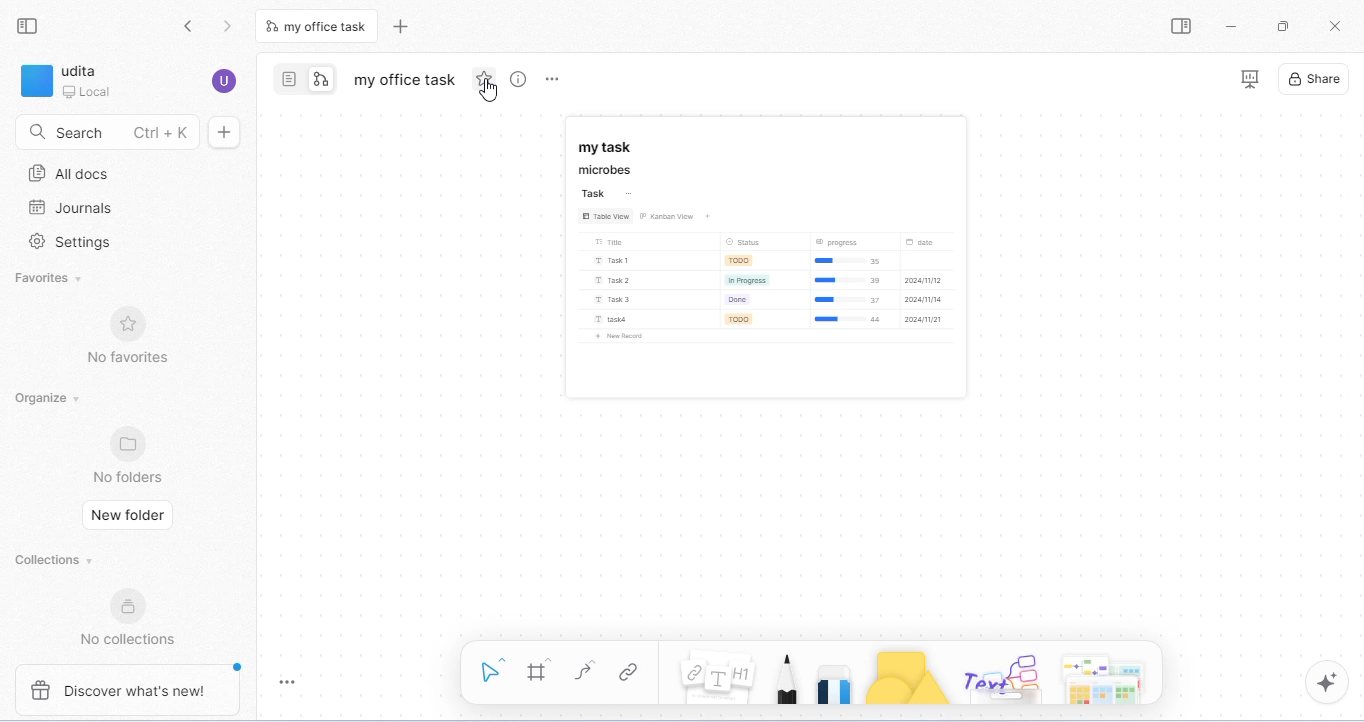  What do you see at coordinates (1353, 296) in the screenshot?
I see `vertical scroll bar` at bounding box center [1353, 296].